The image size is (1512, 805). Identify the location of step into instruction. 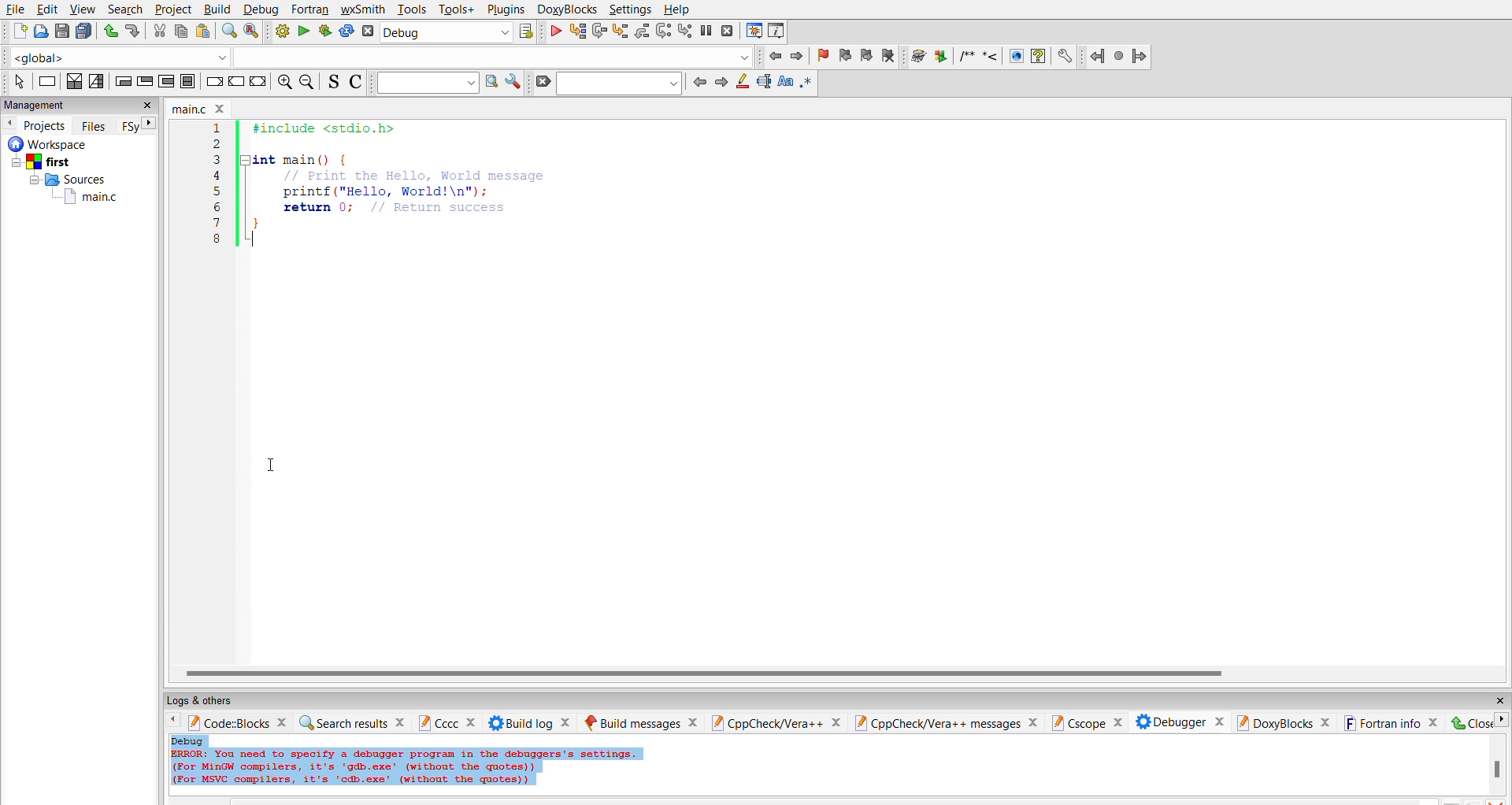
(687, 30).